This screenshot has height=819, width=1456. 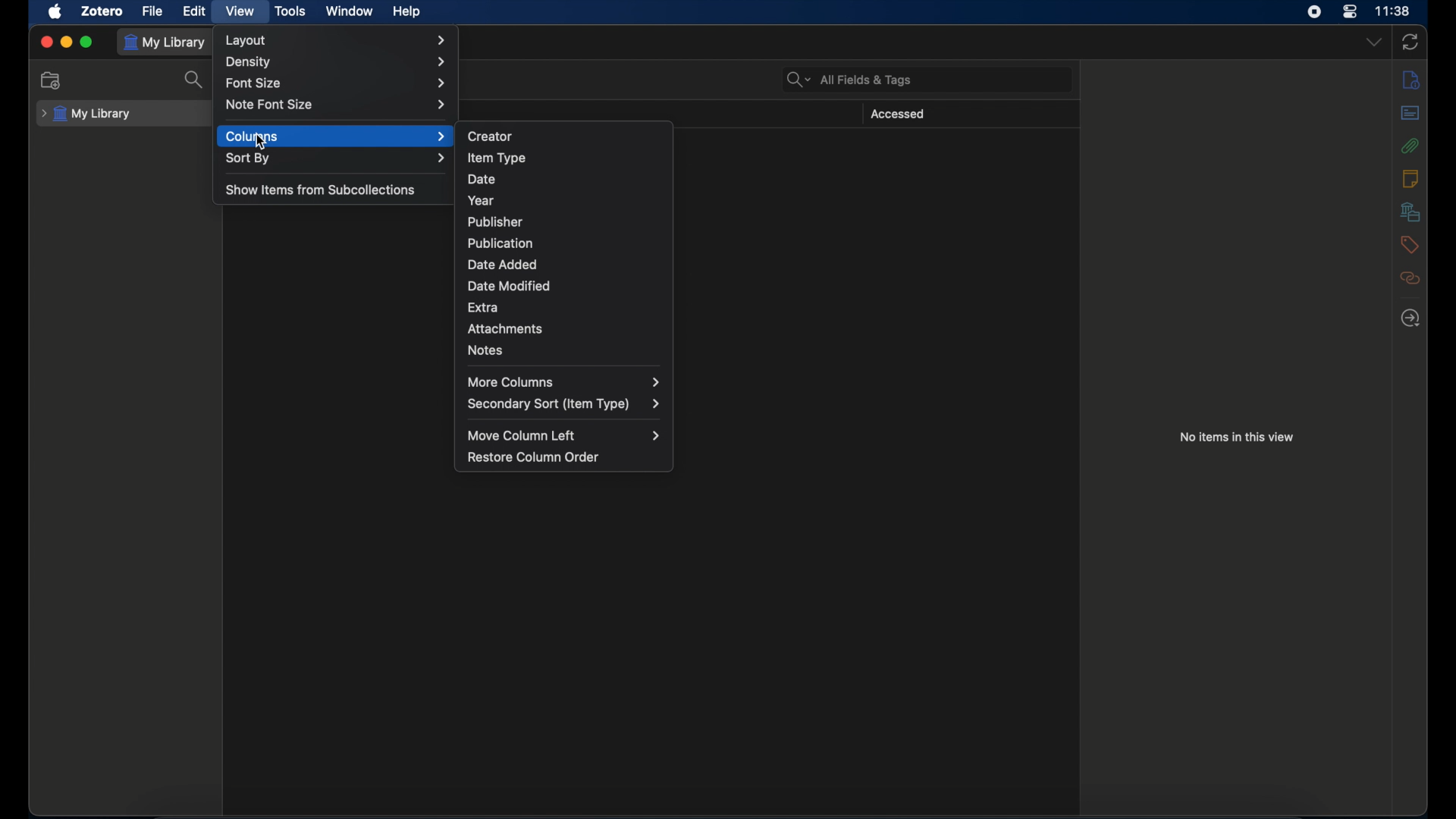 What do you see at coordinates (153, 11) in the screenshot?
I see `file` at bounding box center [153, 11].